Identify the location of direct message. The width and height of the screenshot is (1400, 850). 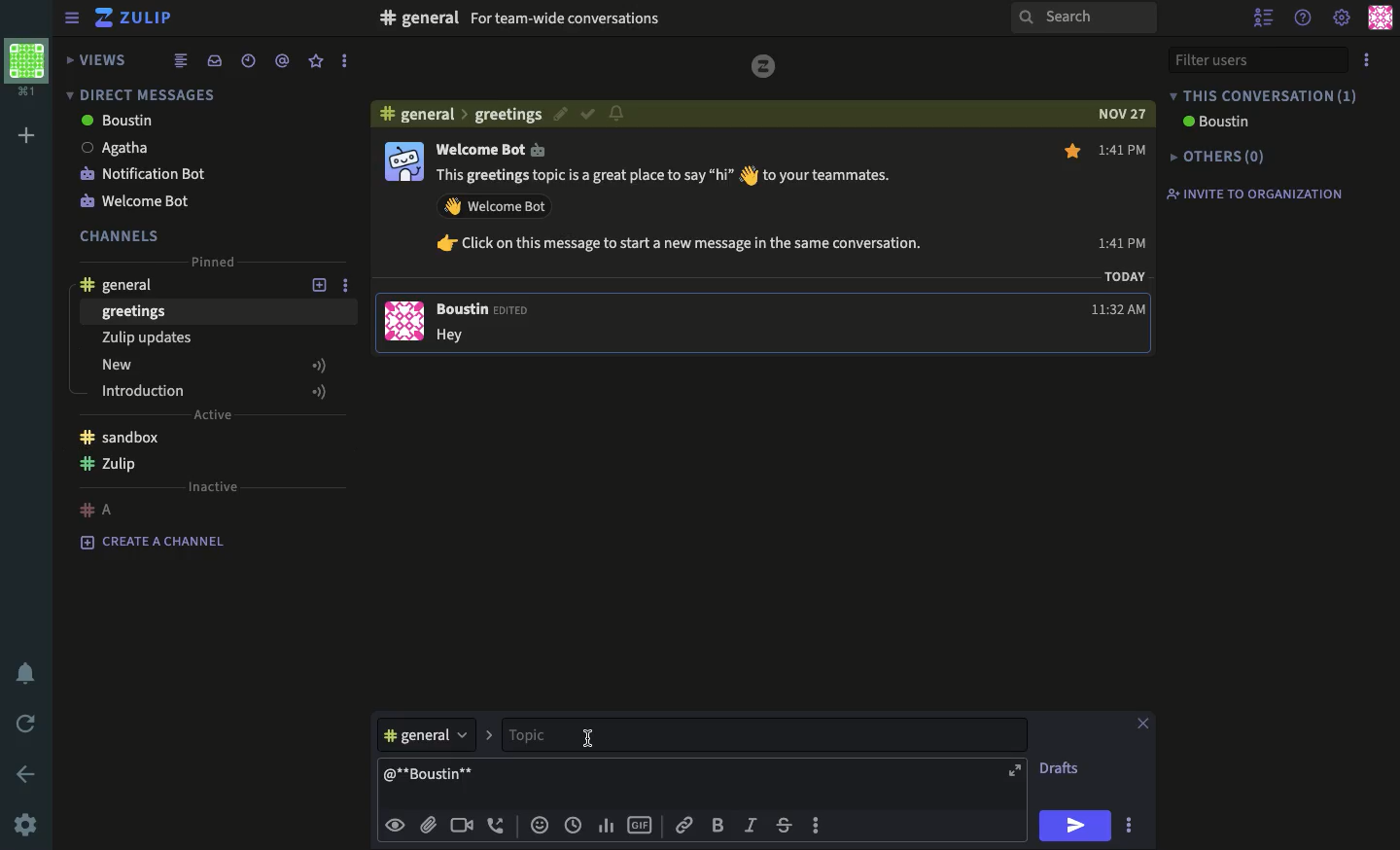
(138, 93).